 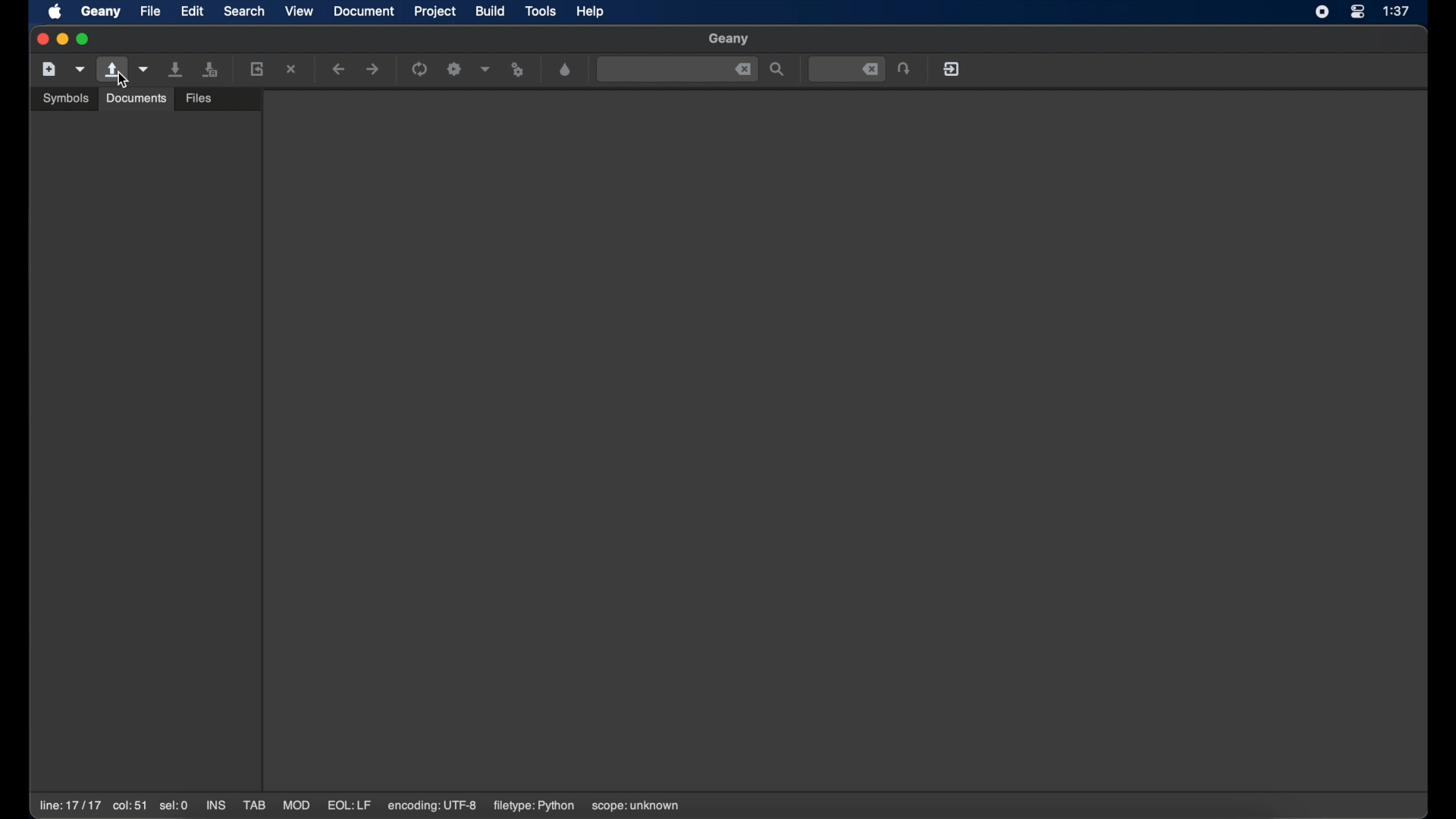 What do you see at coordinates (676, 70) in the screenshot?
I see `find the entered text in the current file` at bounding box center [676, 70].